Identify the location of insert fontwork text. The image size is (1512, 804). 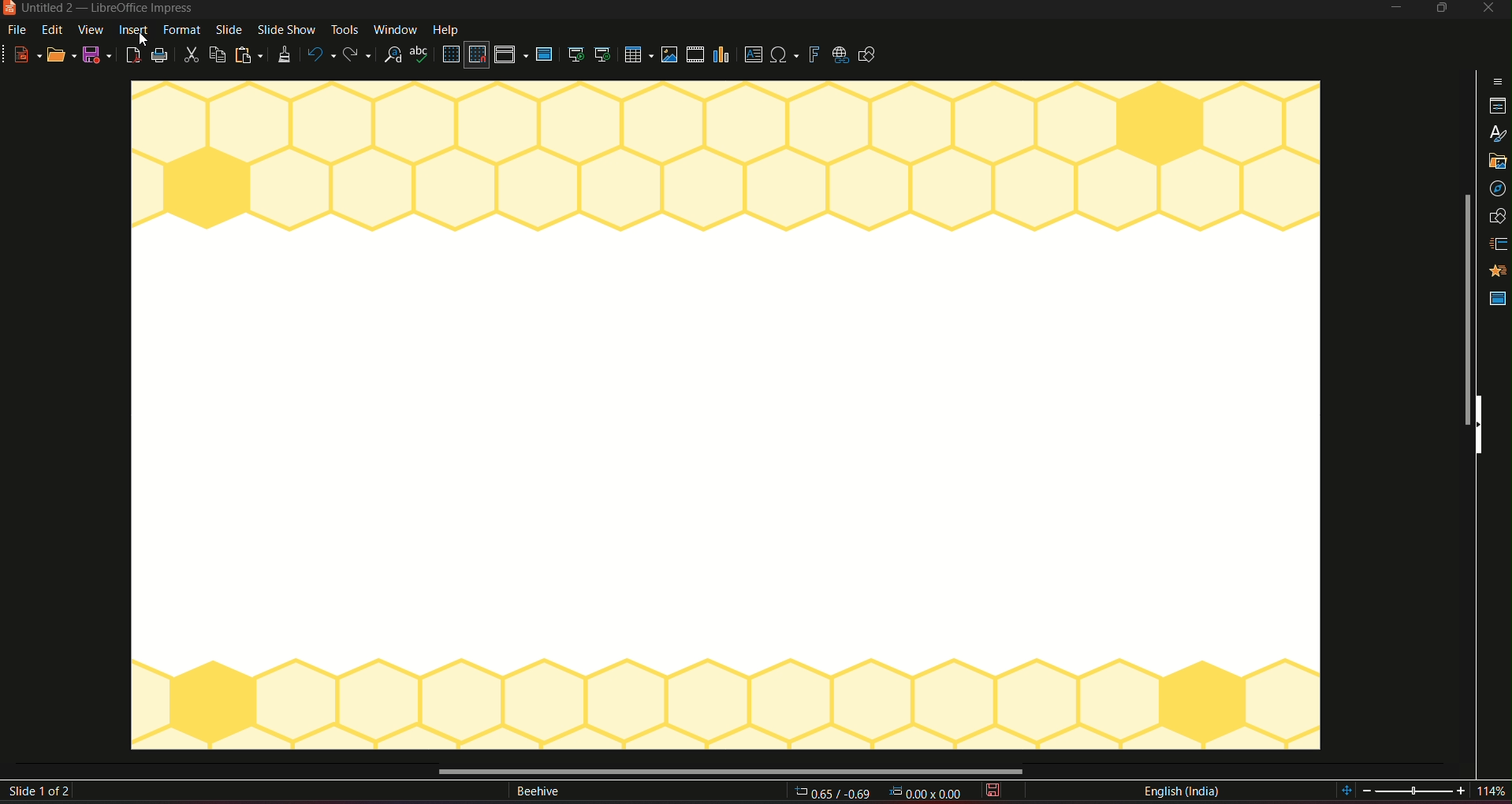
(814, 54).